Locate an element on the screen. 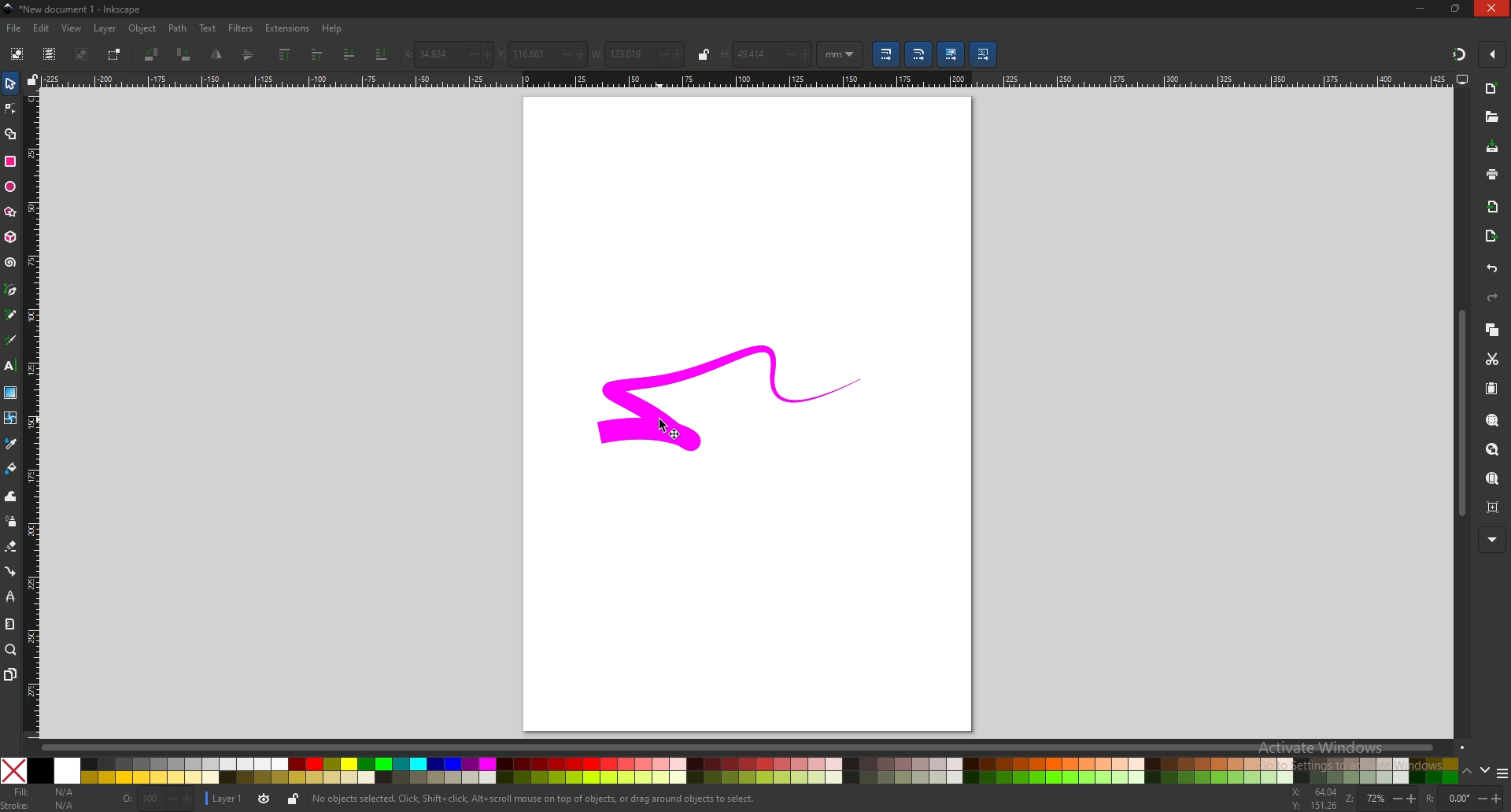 The width and height of the screenshot is (1511, 812). vertical scale is located at coordinates (28, 412).